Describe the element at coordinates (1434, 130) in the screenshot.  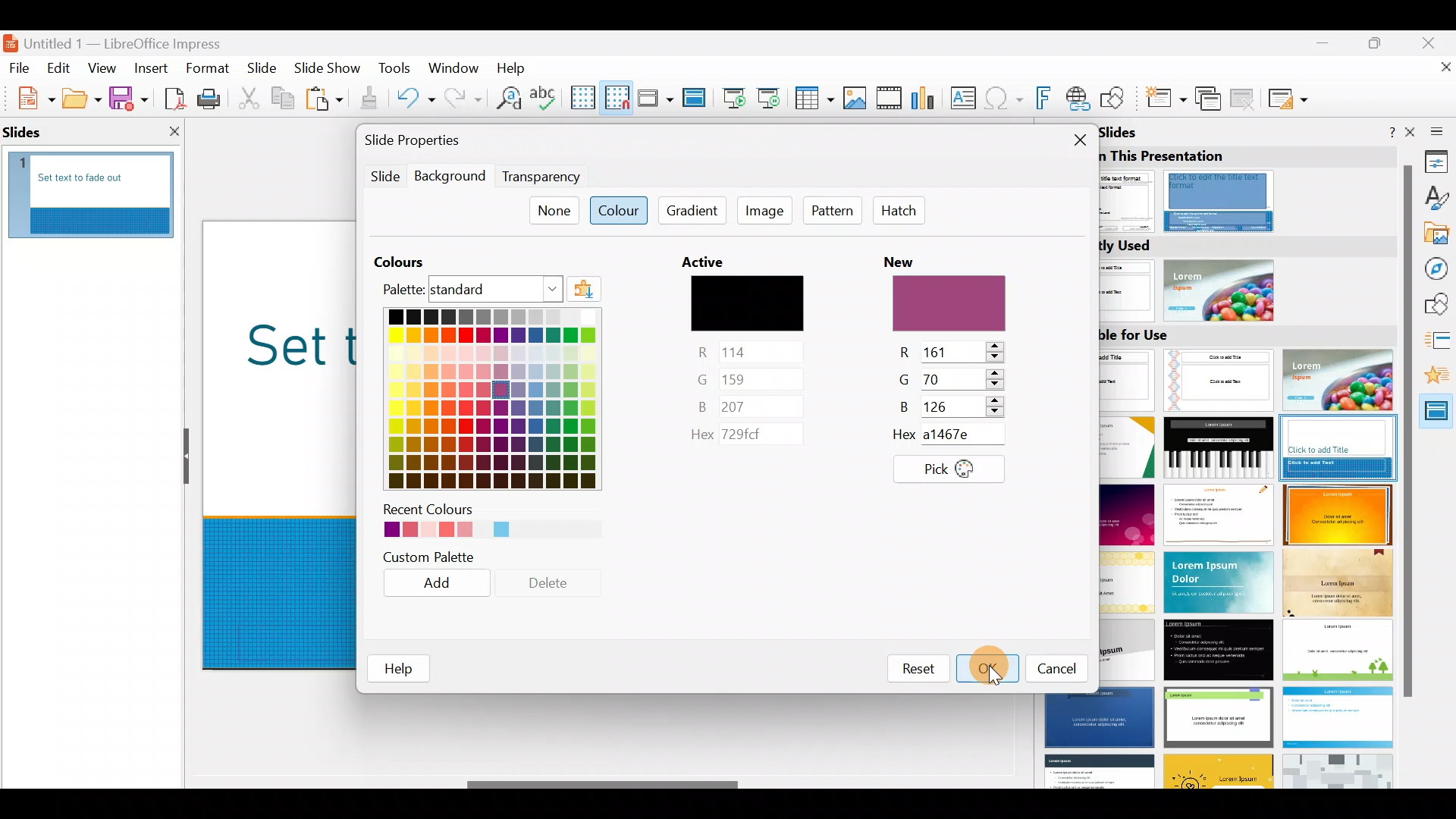
I see `Sidebar settings` at that location.